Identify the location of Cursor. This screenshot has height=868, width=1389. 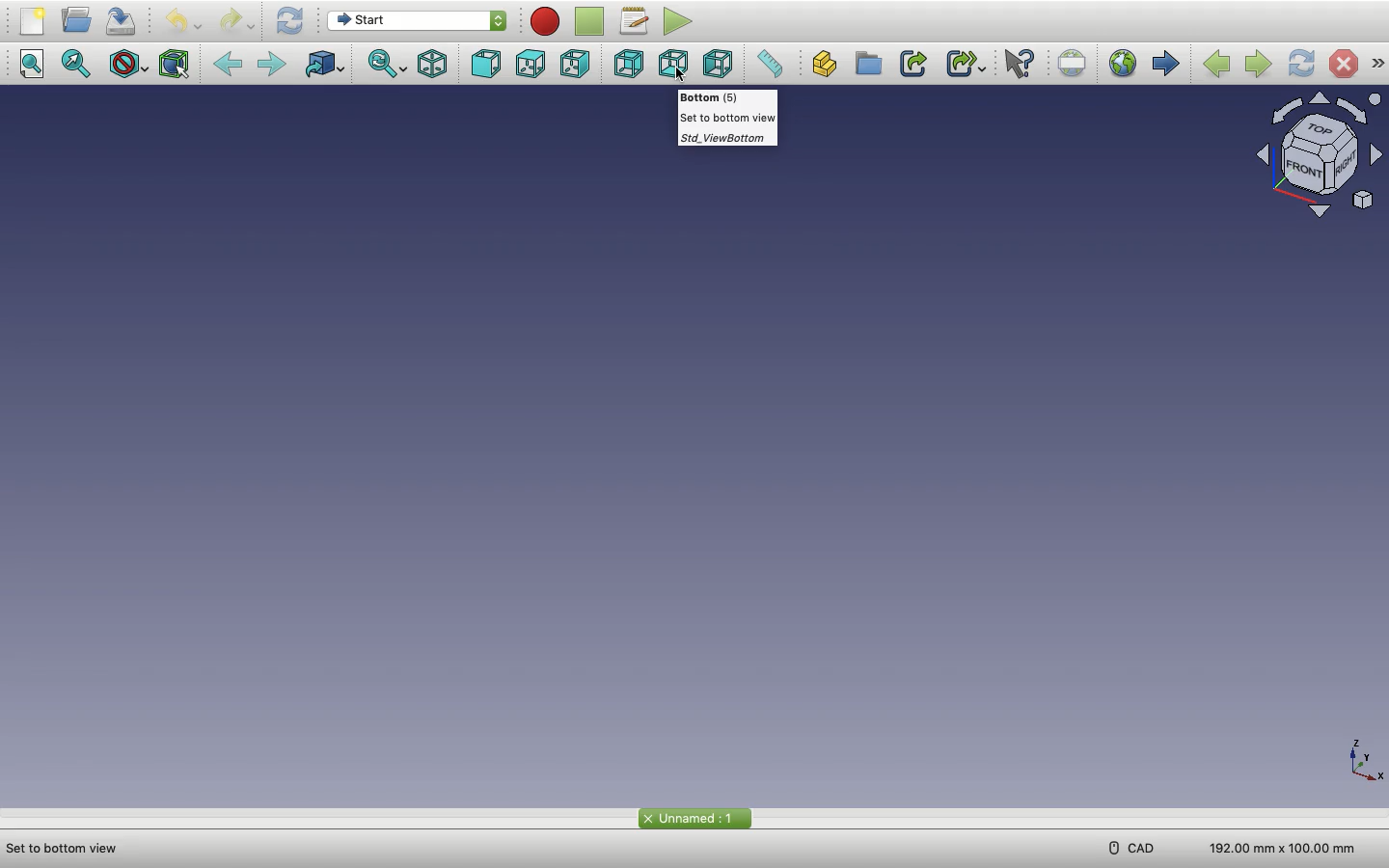
(682, 76).